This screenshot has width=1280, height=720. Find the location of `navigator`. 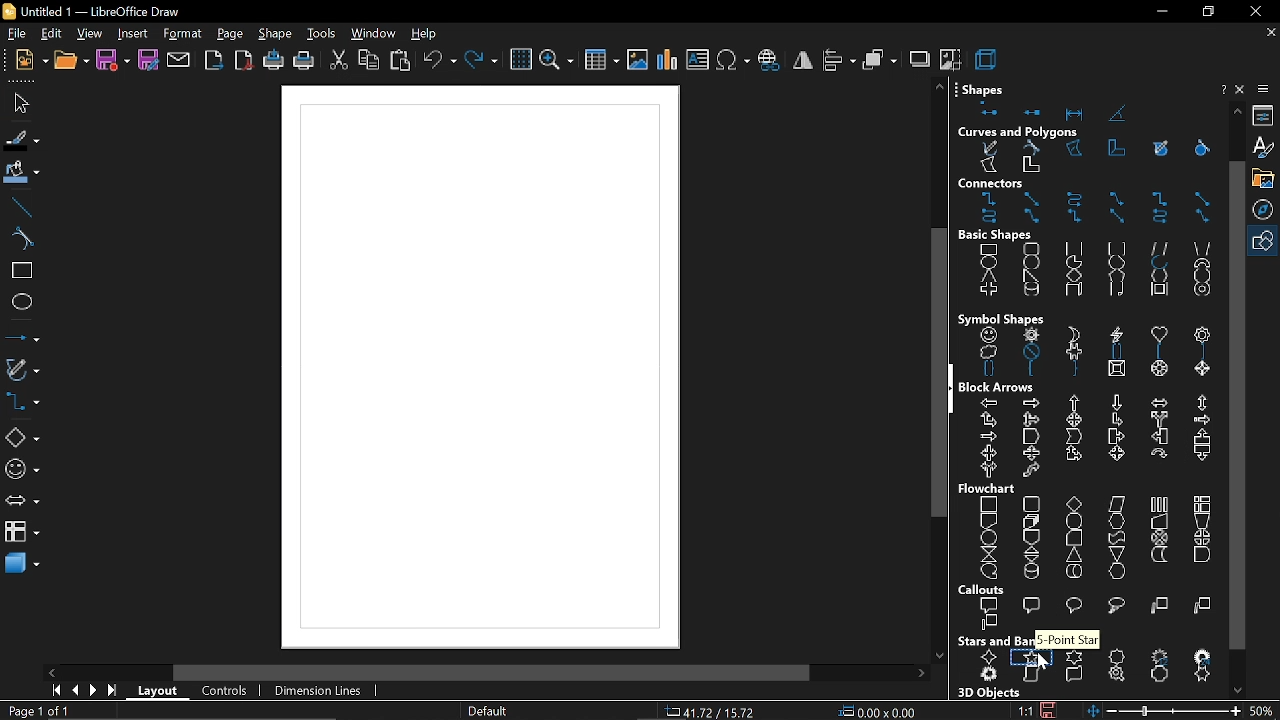

navigator is located at coordinates (1266, 209).